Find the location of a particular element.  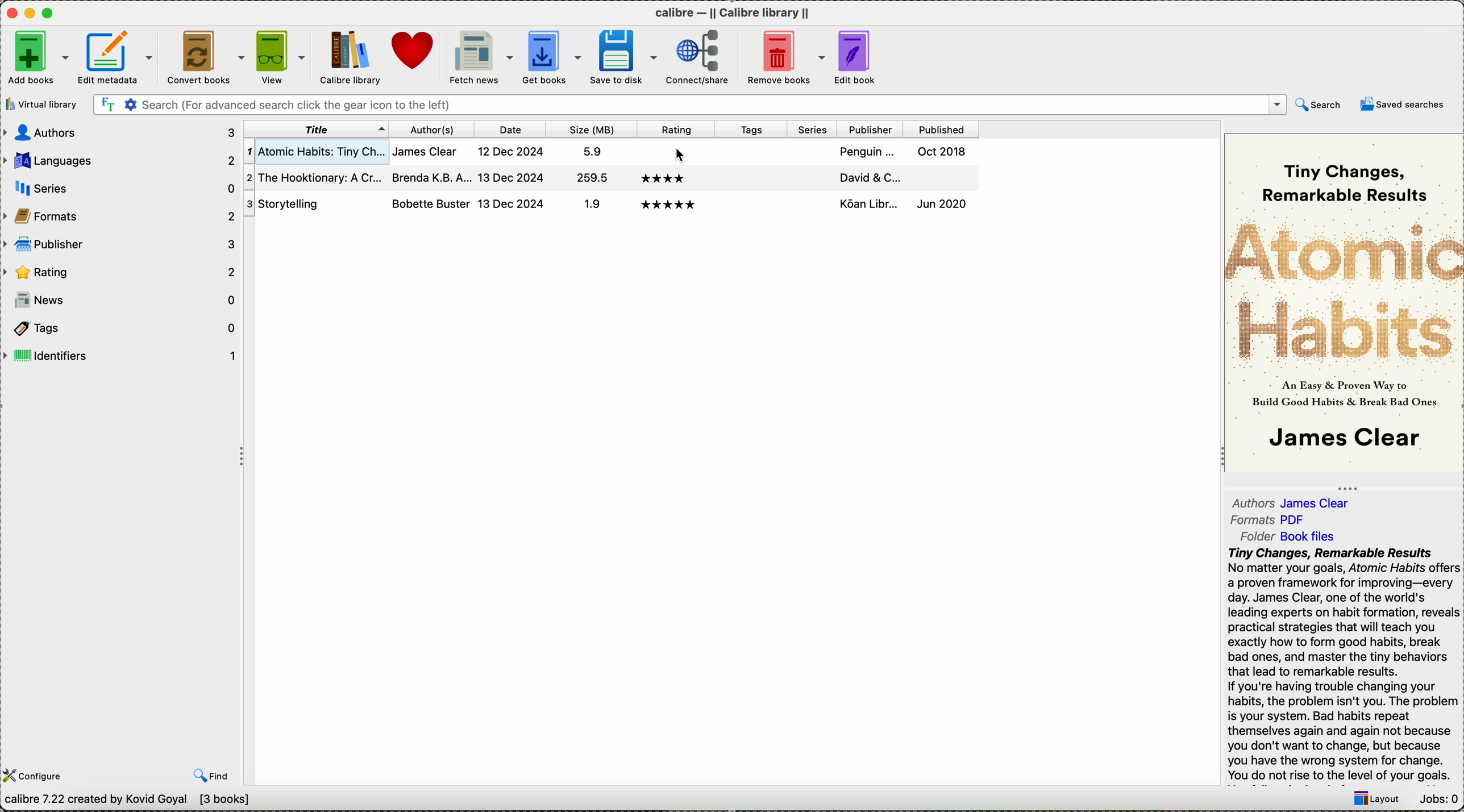

fetch news is located at coordinates (480, 57).